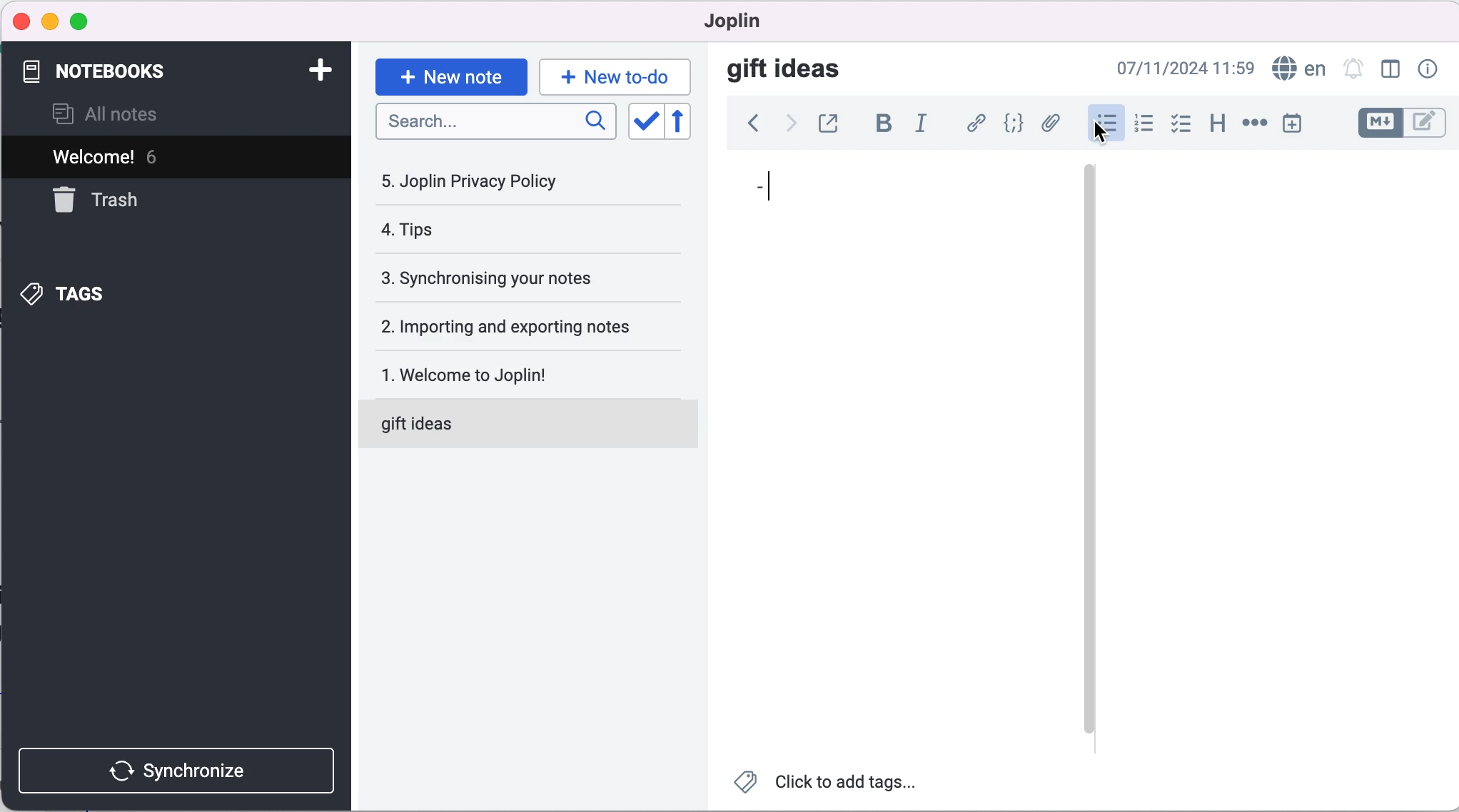 Image resolution: width=1459 pixels, height=812 pixels. Describe the element at coordinates (175, 768) in the screenshot. I see `synchronize` at that location.